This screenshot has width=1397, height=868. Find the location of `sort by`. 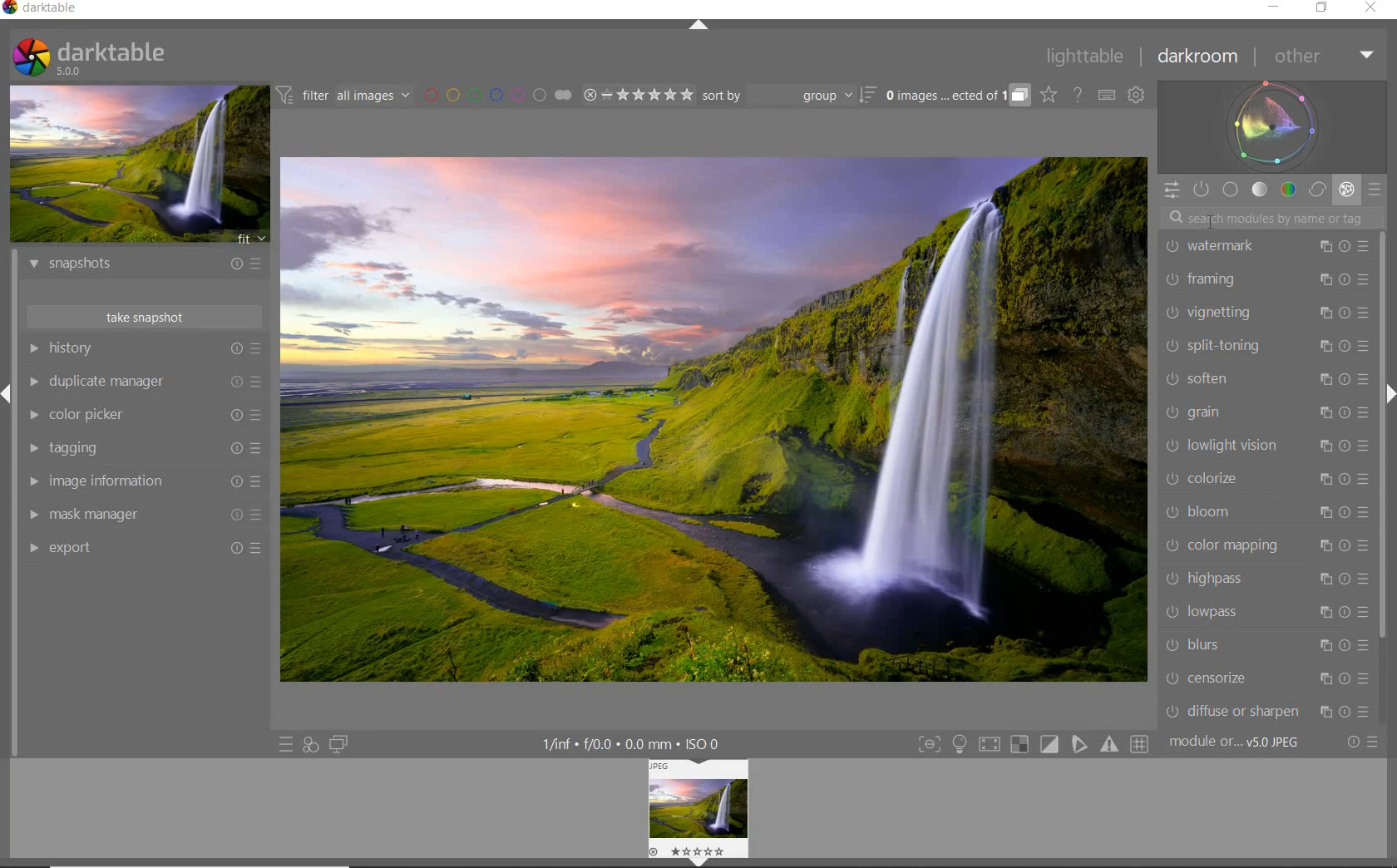

sort by is located at coordinates (789, 95).